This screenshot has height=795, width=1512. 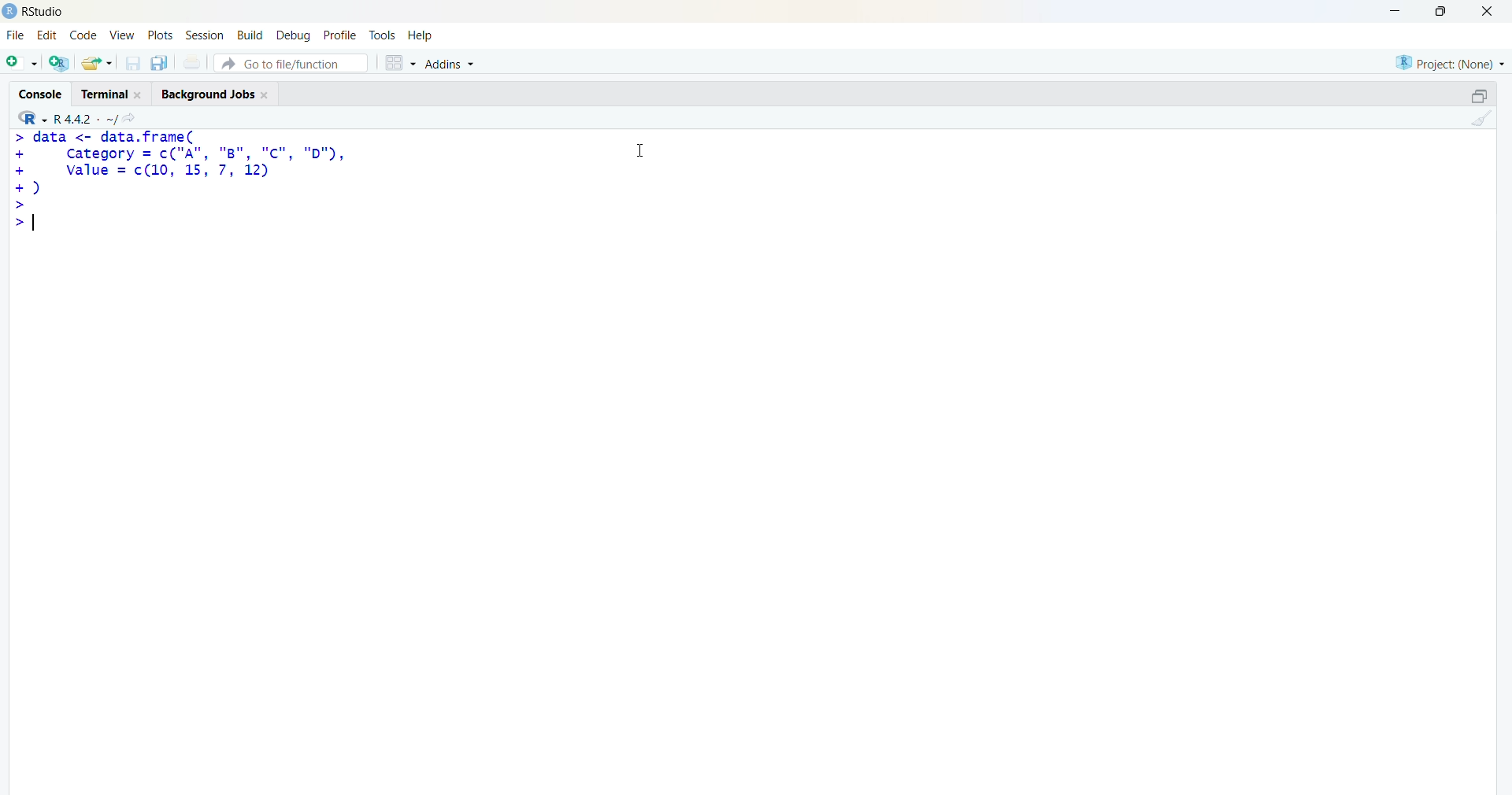 What do you see at coordinates (1400, 11) in the screenshot?
I see `minimize` at bounding box center [1400, 11].